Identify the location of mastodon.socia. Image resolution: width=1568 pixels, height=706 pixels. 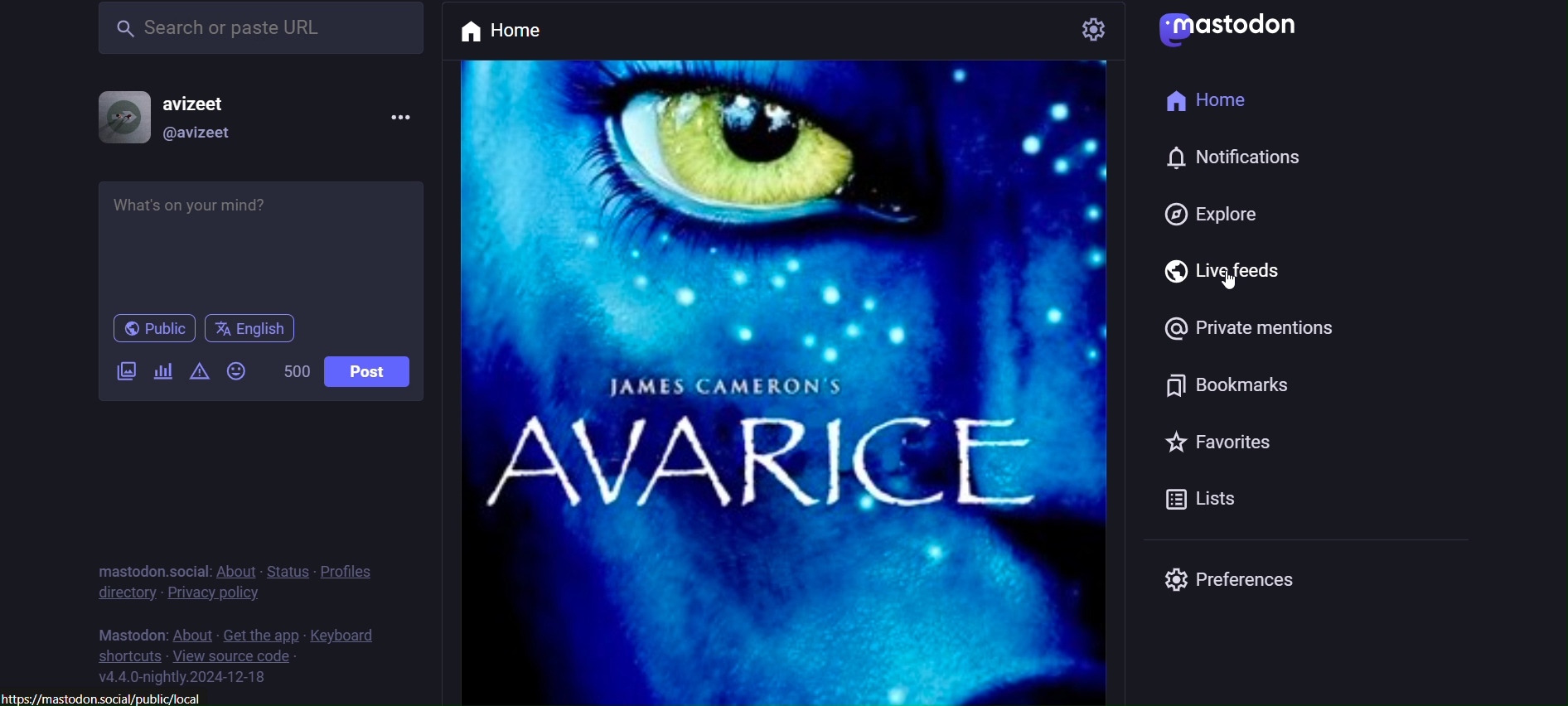
(149, 570).